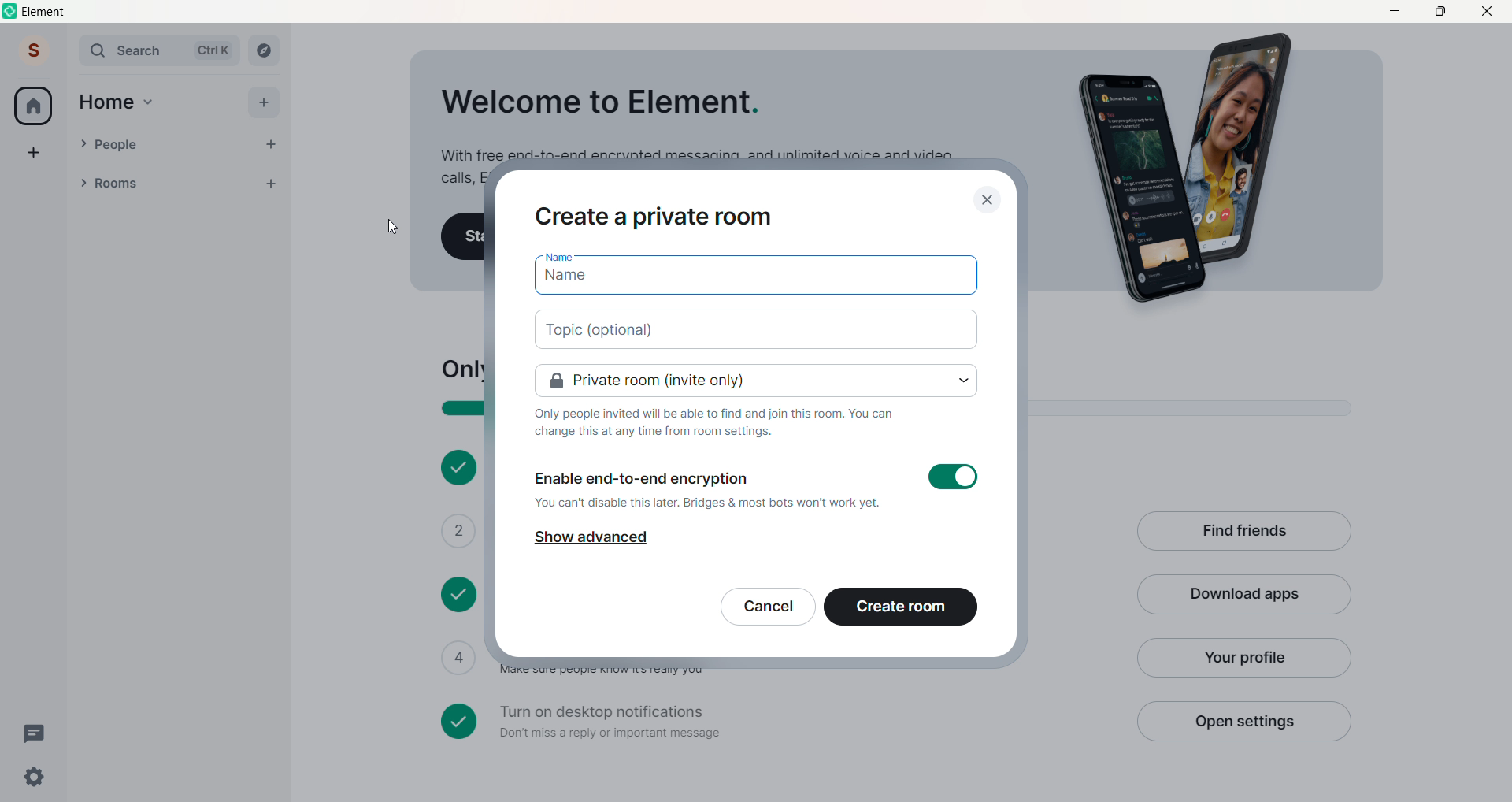 The image size is (1512, 802). What do you see at coordinates (106, 102) in the screenshot?
I see `Home` at bounding box center [106, 102].